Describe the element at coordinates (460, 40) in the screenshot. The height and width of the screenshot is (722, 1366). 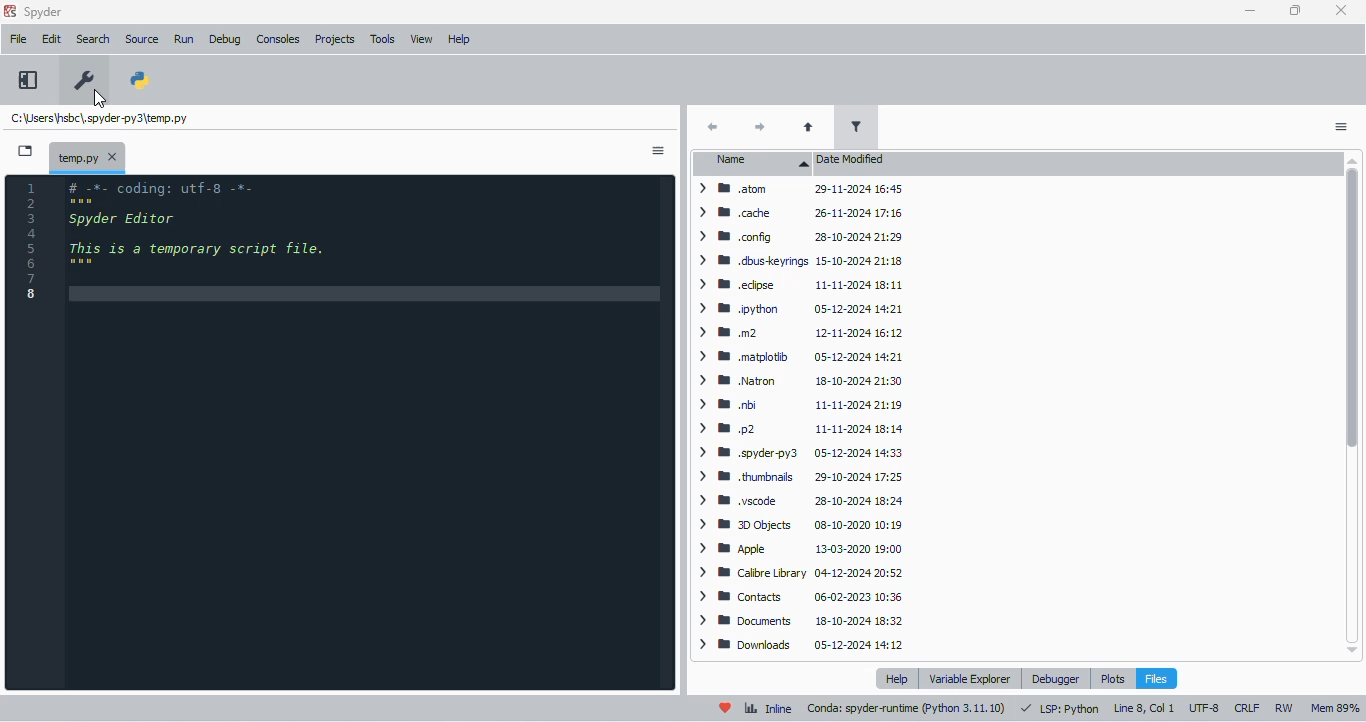
I see `help` at that location.